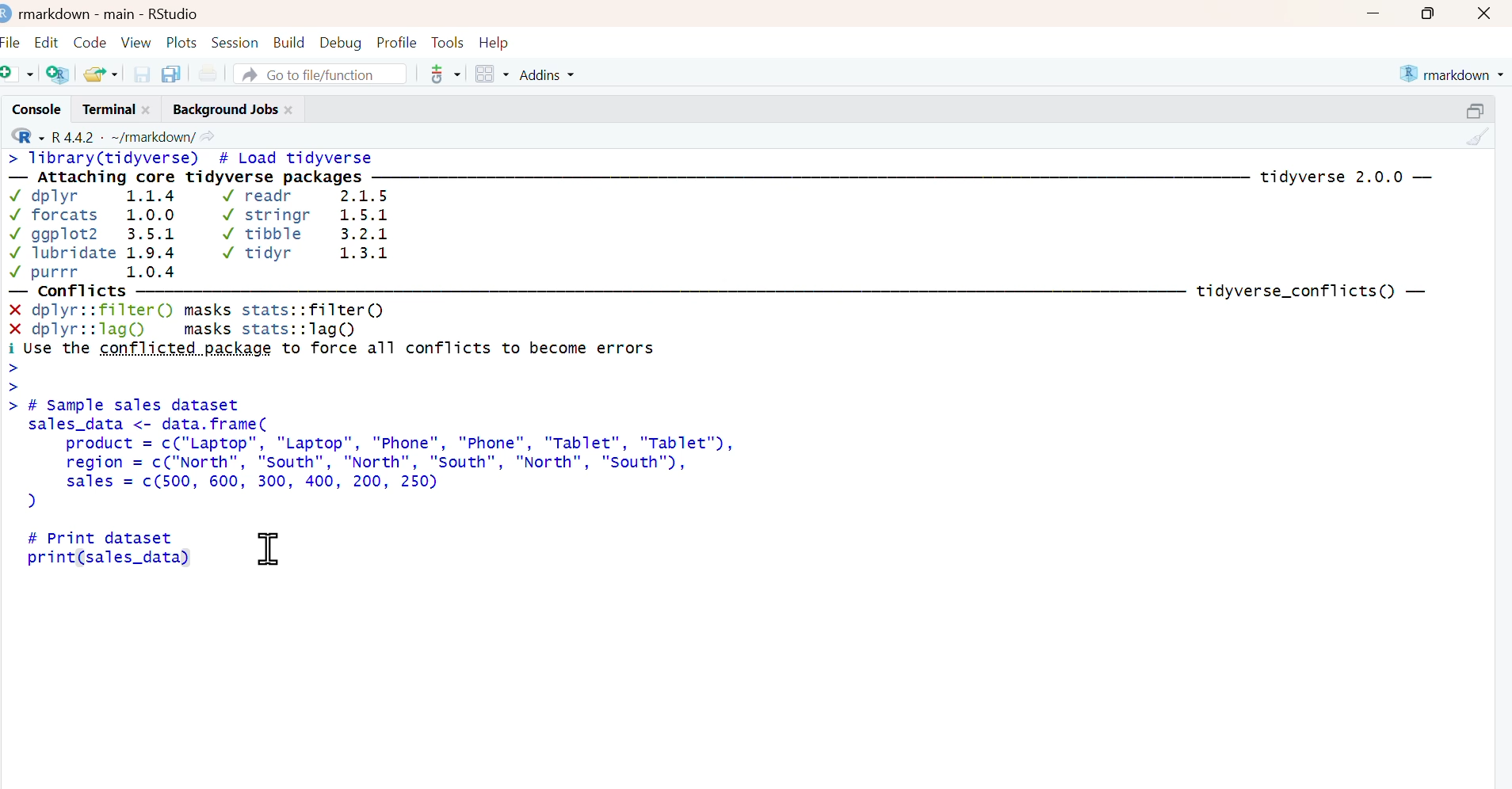 Image resolution: width=1512 pixels, height=789 pixels. I want to click on save all, so click(170, 73).